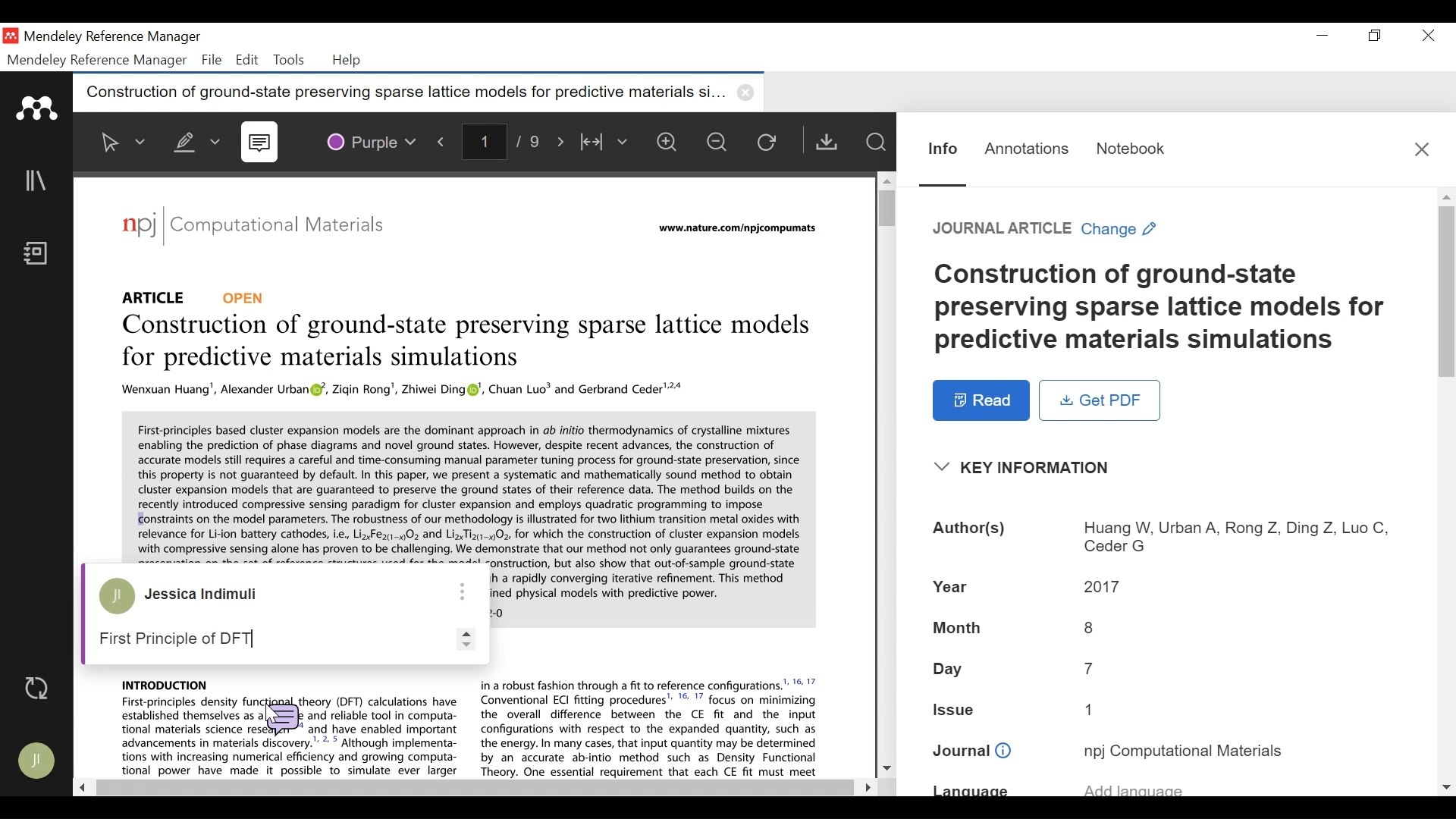 This screenshot has height=819, width=1456. I want to click on Reference Type, so click(158, 295).